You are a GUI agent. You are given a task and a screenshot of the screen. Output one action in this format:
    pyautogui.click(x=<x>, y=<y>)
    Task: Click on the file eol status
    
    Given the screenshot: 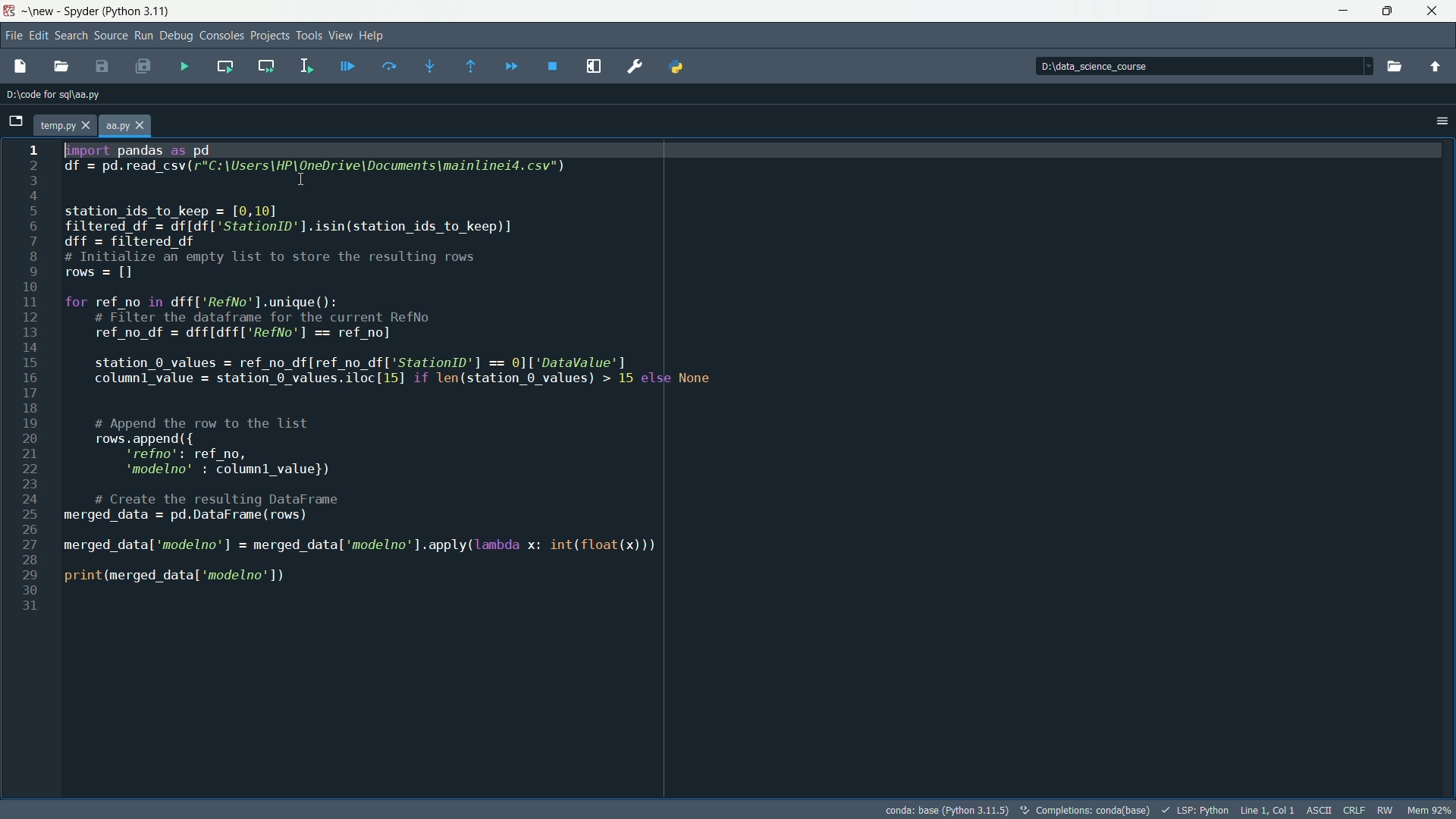 What is the action you would take?
    pyautogui.click(x=1351, y=809)
    